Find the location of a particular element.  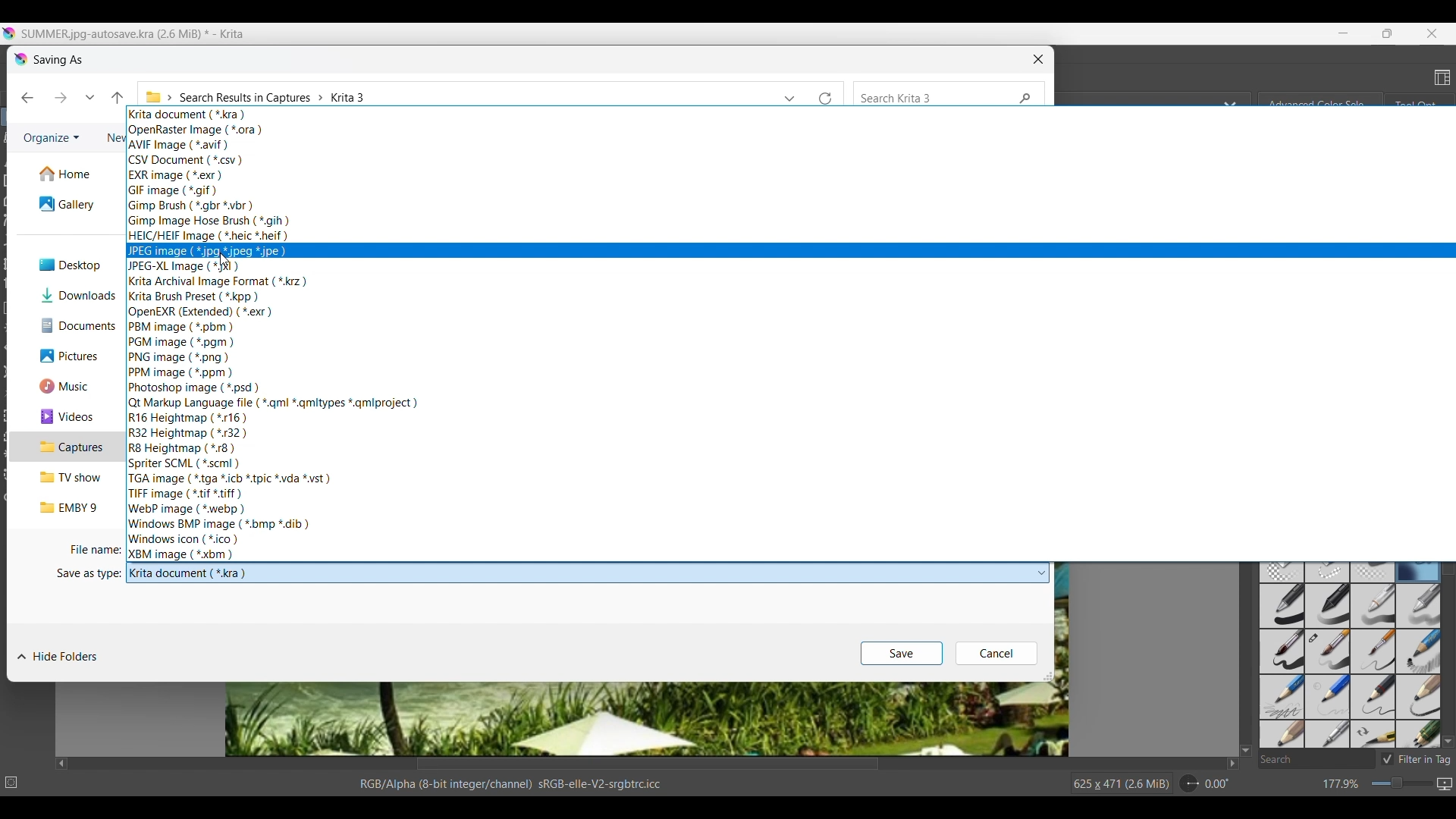

Search box is located at coordinates (1316, 759).